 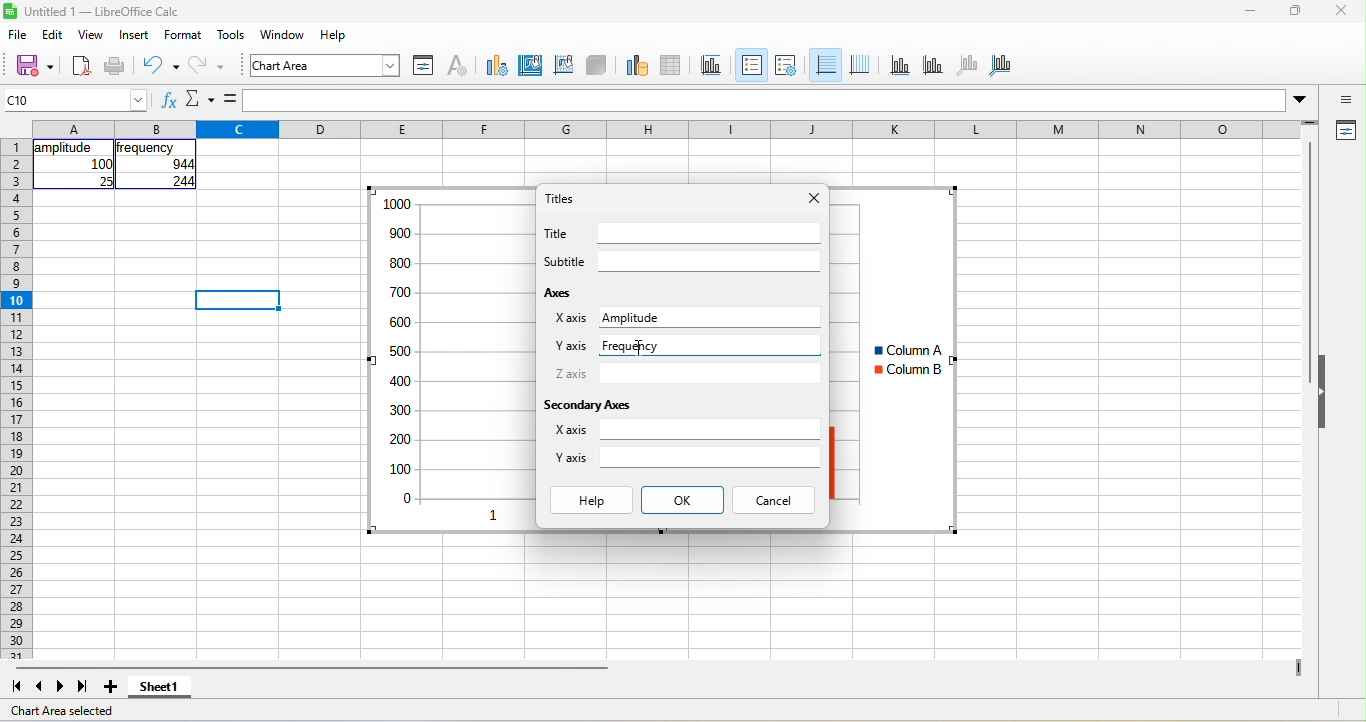 What do you see at coordinates (424, 66) in the screenshot?
I see `format selection` at bounding box center [424, 66].